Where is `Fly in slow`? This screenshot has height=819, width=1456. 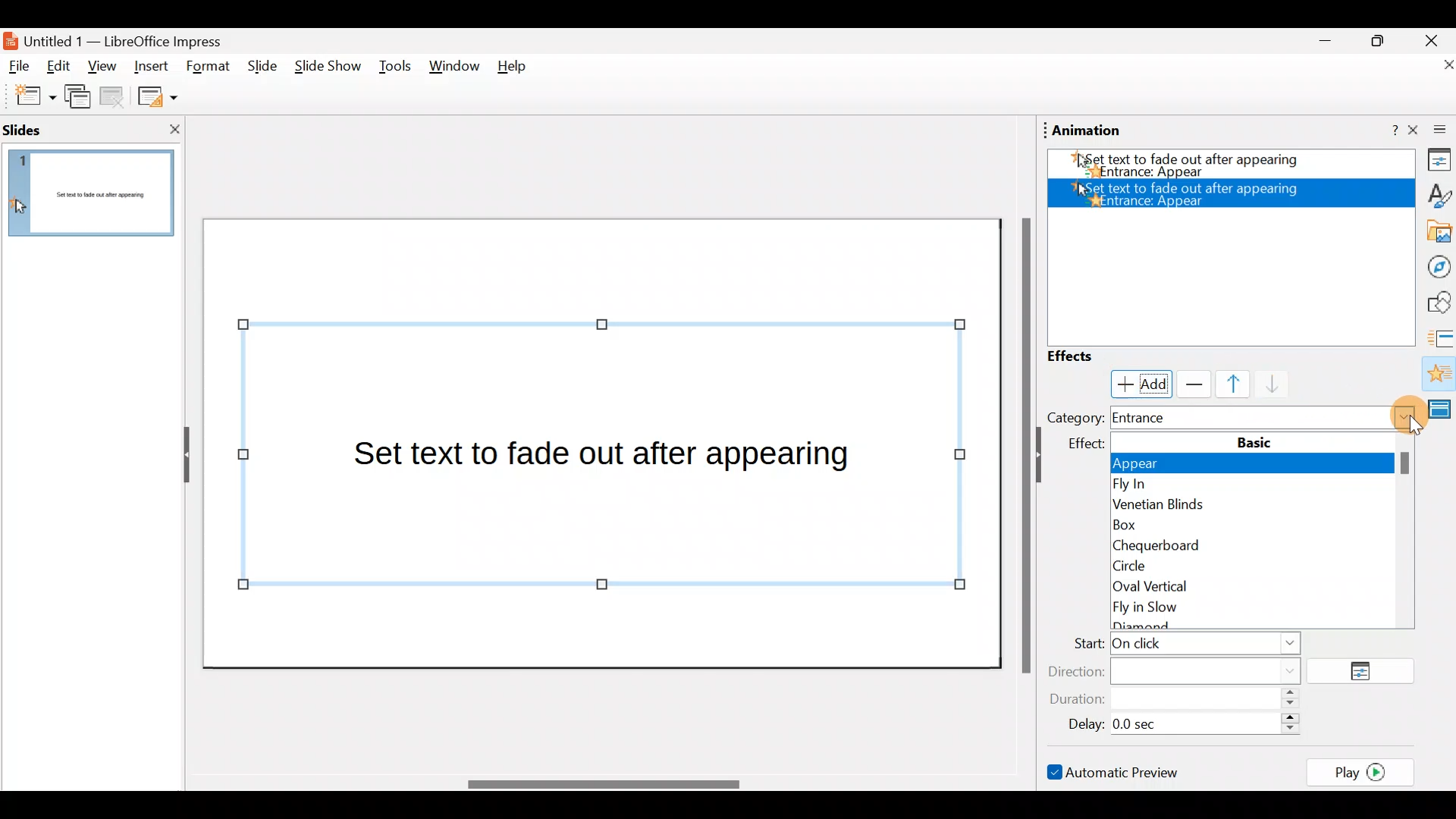
Fly in slow is located at coordinates (1262, 613).